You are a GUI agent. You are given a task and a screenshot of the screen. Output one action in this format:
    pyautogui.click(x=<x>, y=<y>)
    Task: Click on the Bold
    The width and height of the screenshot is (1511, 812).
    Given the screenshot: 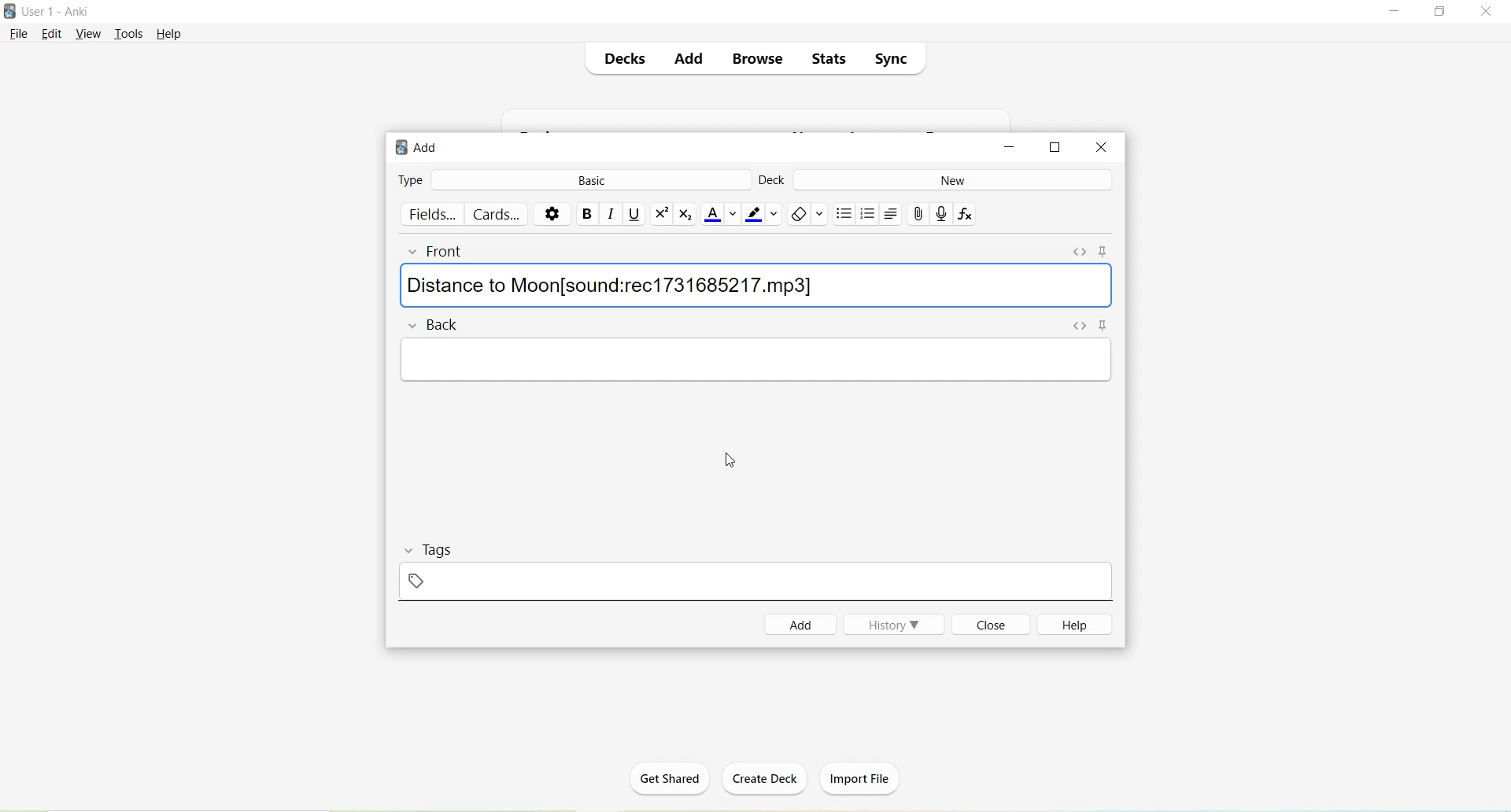 What is the action you would take?
    pyautogui.click(x=587, y=213)
    